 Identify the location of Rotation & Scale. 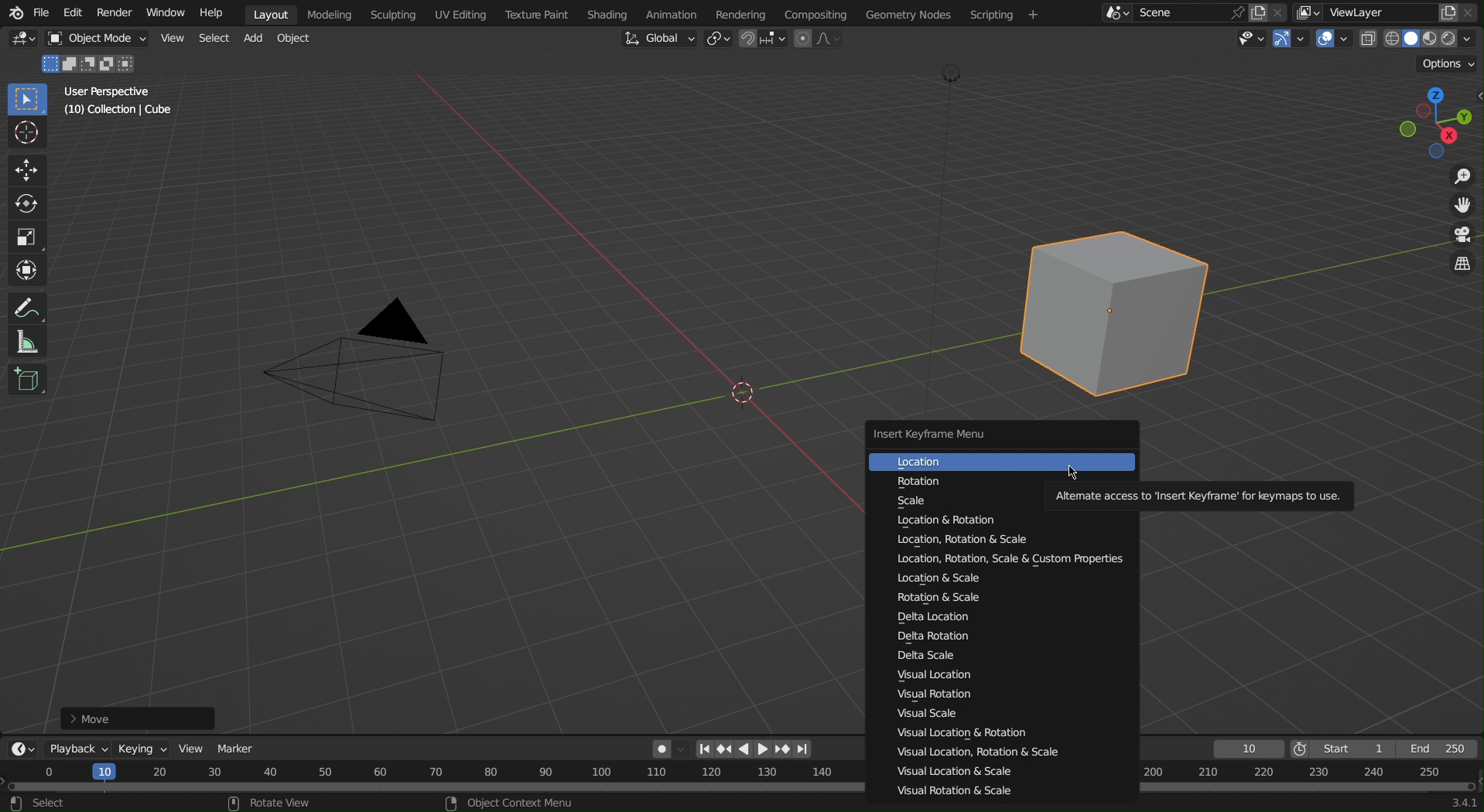
(939, 599).